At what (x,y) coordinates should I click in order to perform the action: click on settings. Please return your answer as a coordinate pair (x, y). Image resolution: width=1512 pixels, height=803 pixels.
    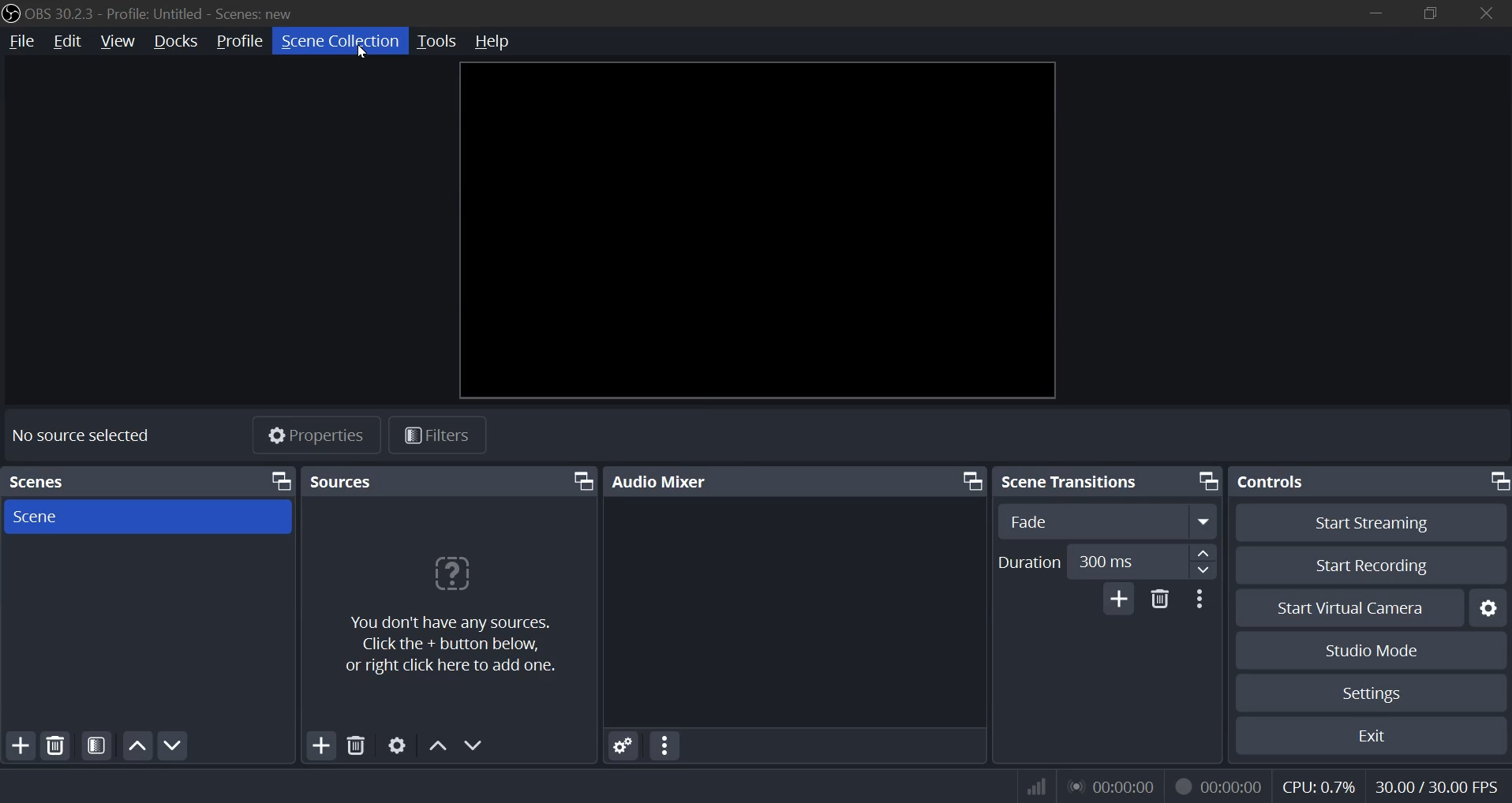
    Looking at the image, I should click on (1374, 691).